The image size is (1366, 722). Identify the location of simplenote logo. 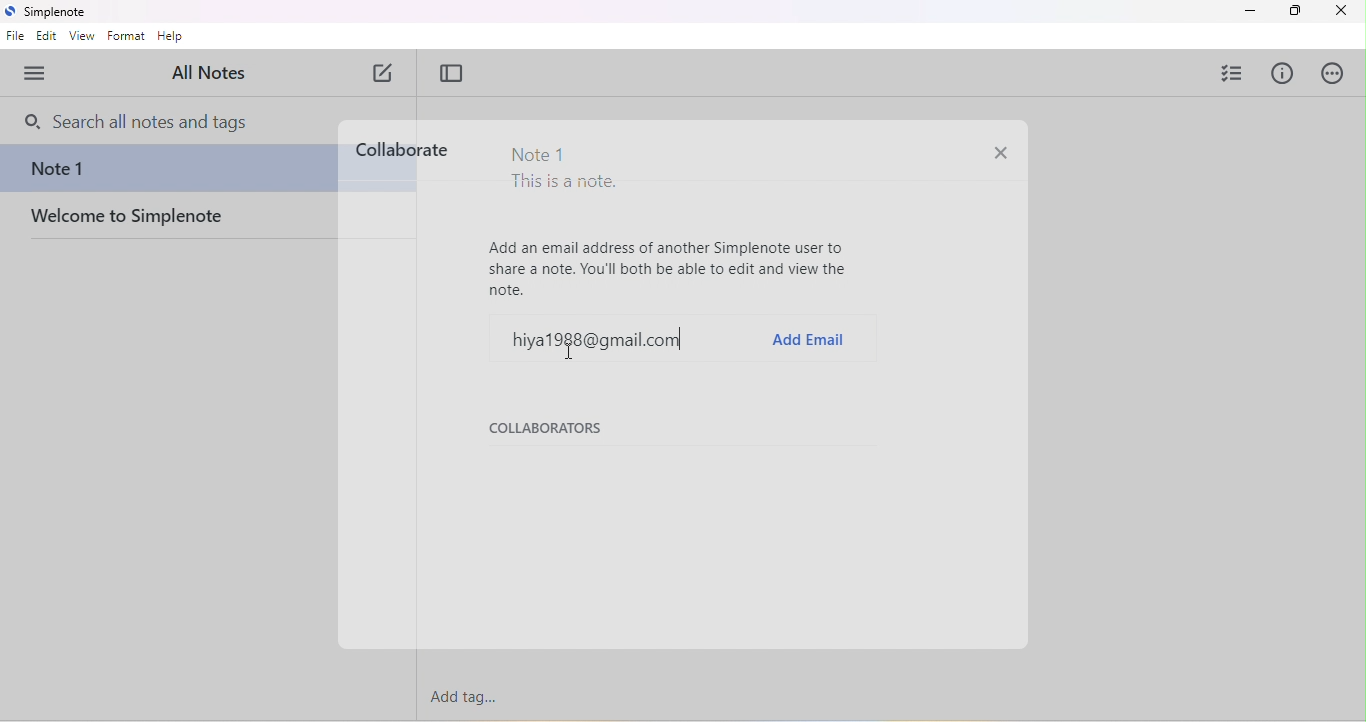
(9, 10).